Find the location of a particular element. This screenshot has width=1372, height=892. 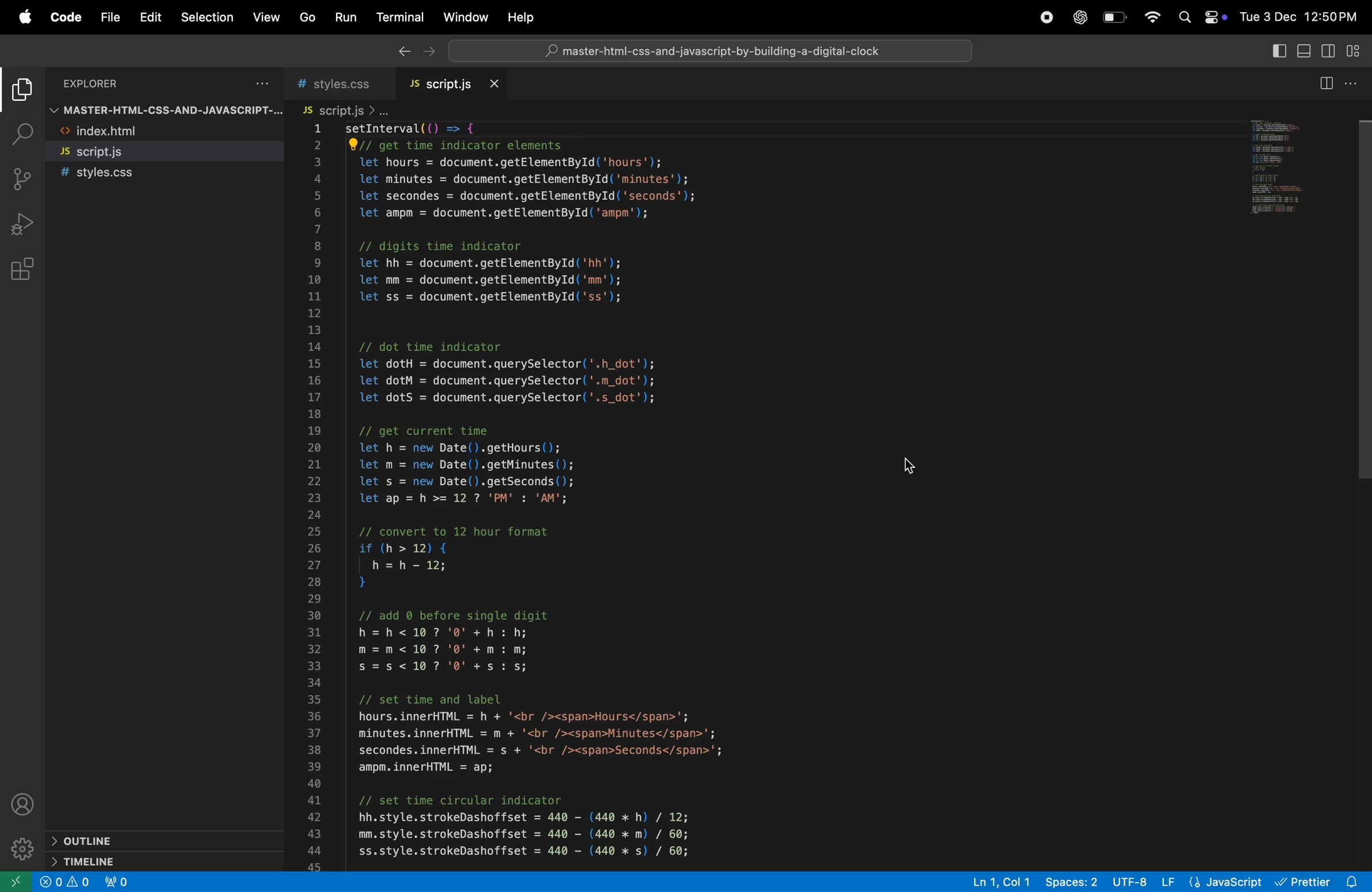

master file is located at coordinates (163, 109).